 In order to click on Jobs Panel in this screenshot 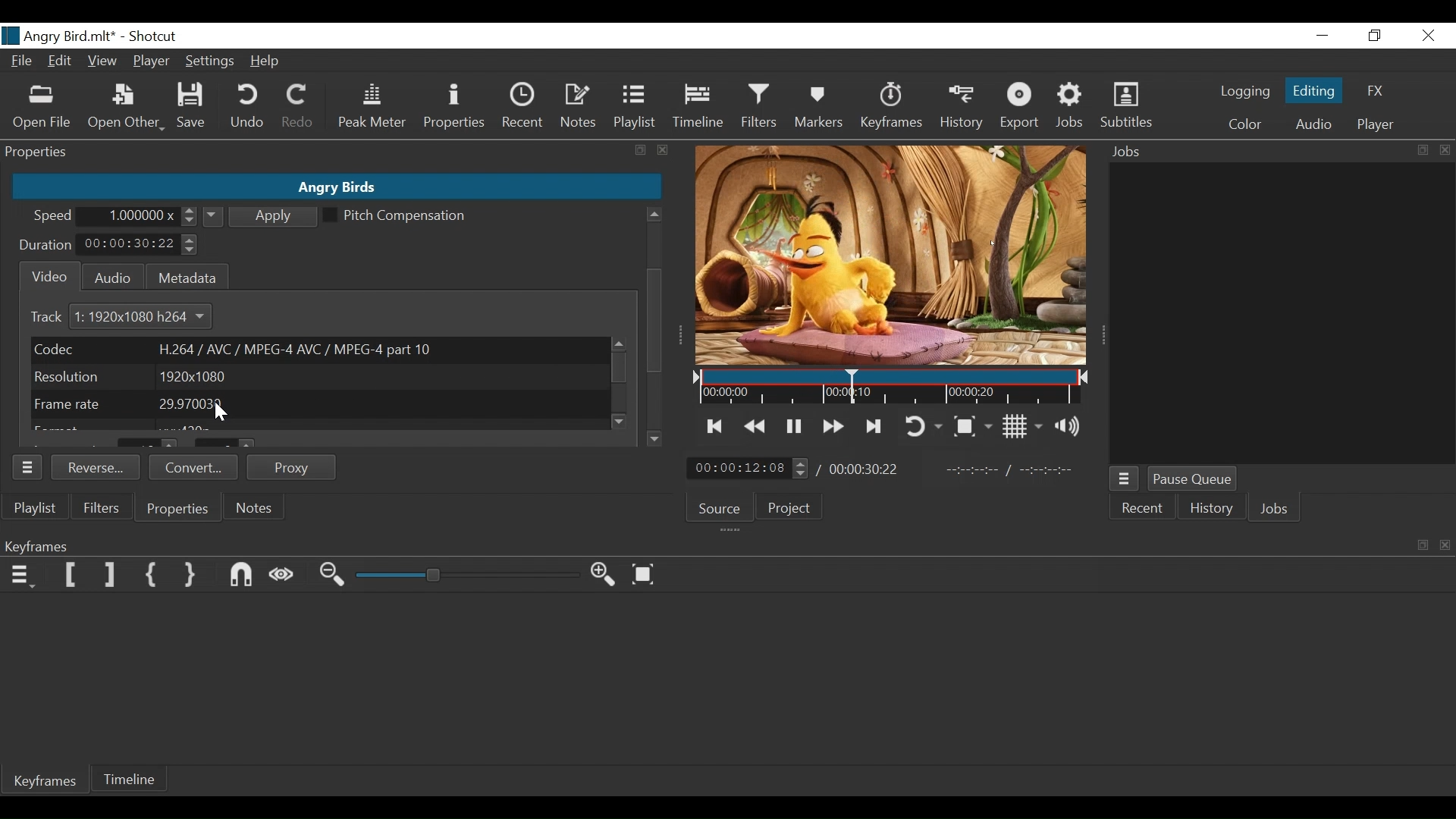, I will do `click(1285, 314)`.